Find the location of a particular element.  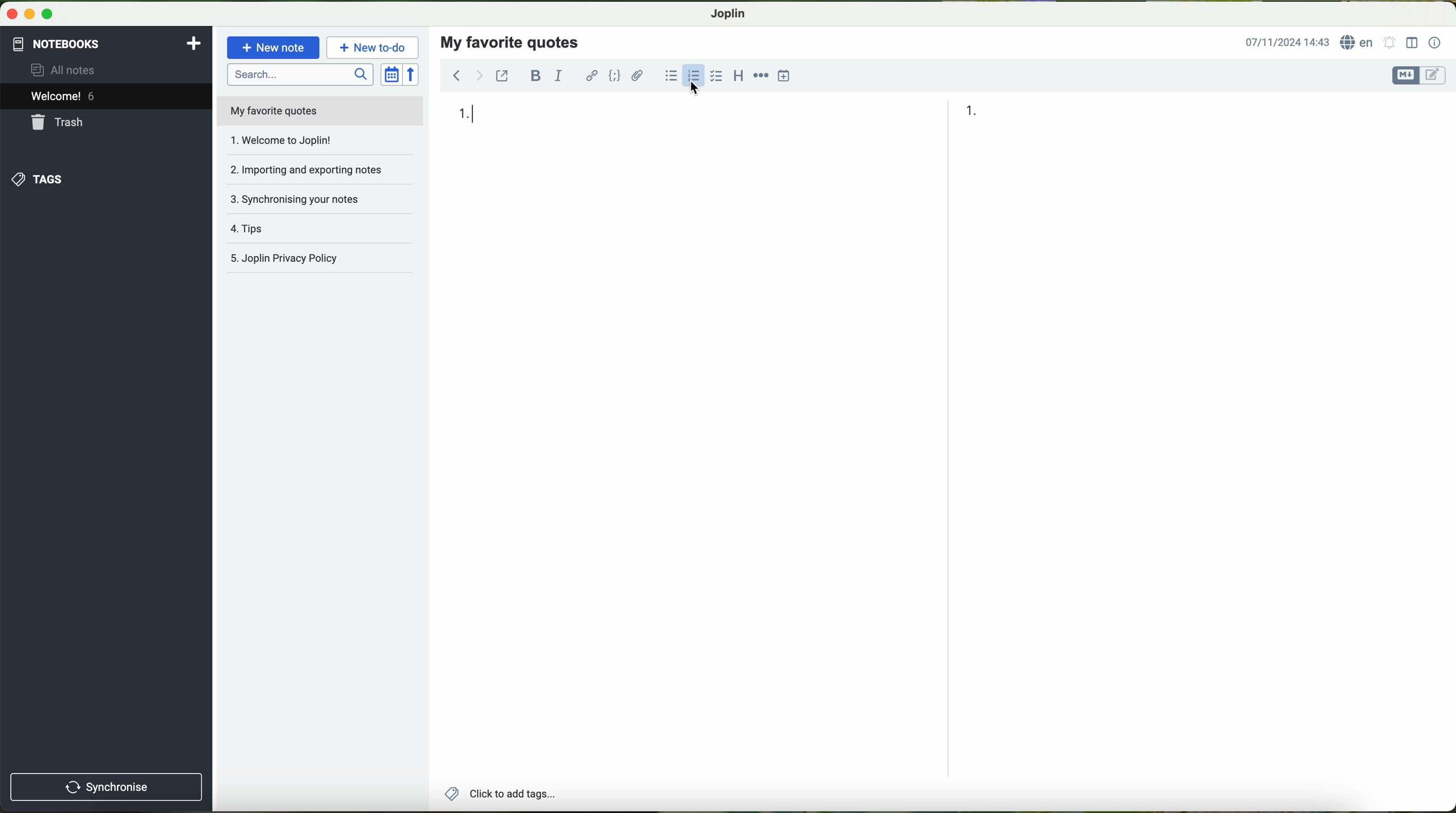

new to-do is located at coordinates (374, 48).